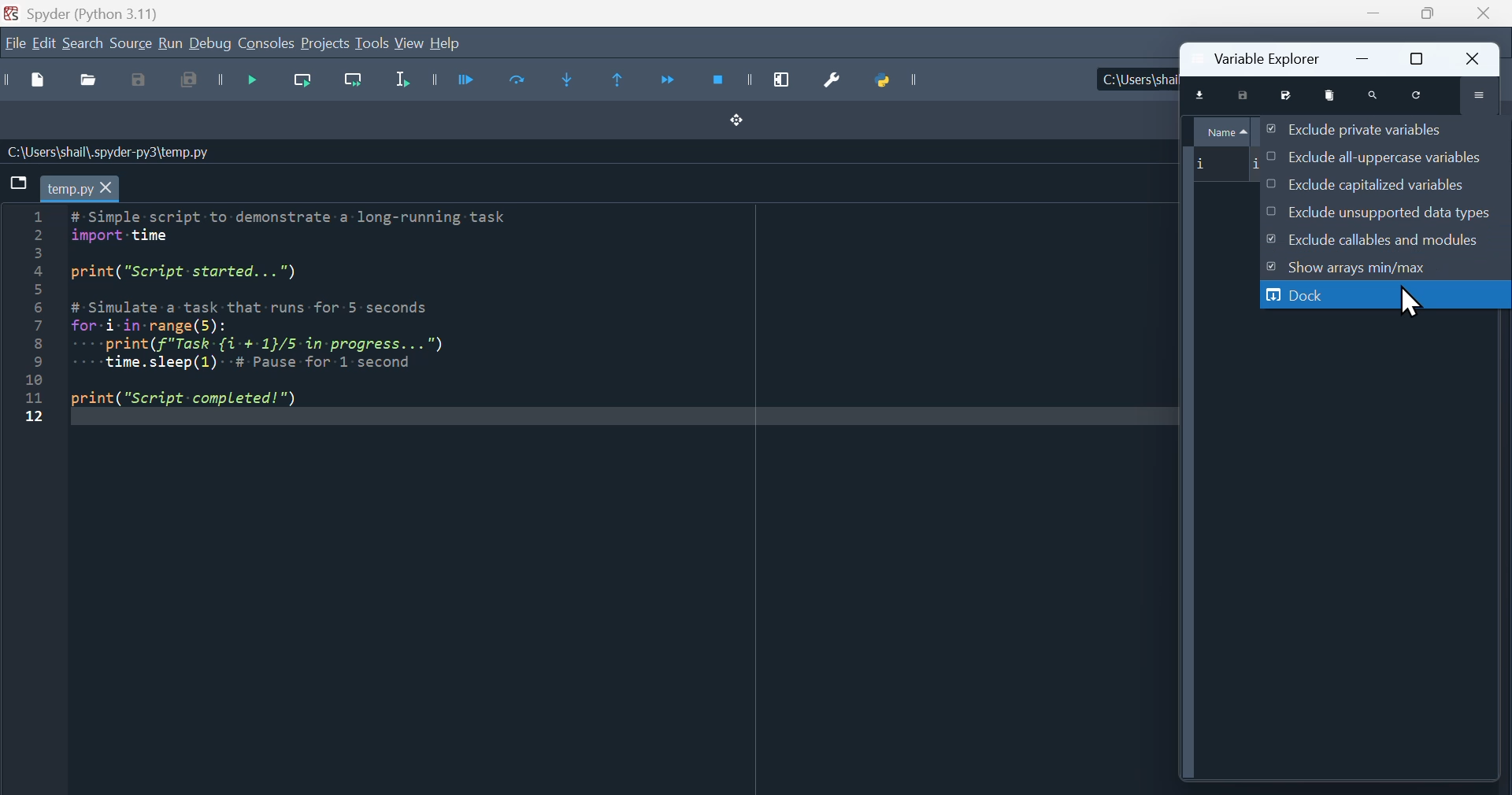 The width and height of the screenshot is (1512, 795). What do you see at coordinates (1224, 130) in the screenshot?
I see `Name` at bounding box center [1224, 130].